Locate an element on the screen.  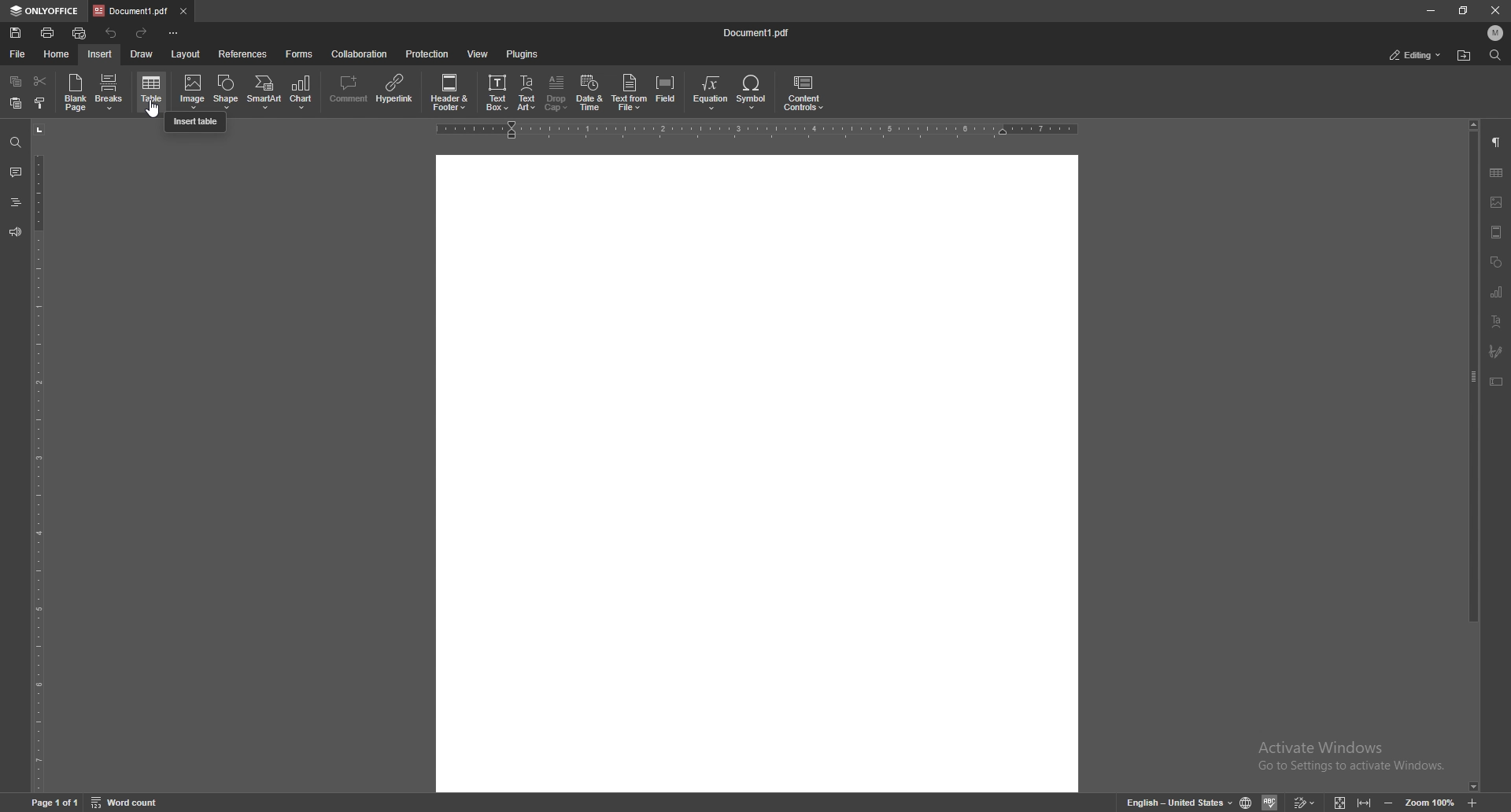
find location is located at coordinates (1465, 55).